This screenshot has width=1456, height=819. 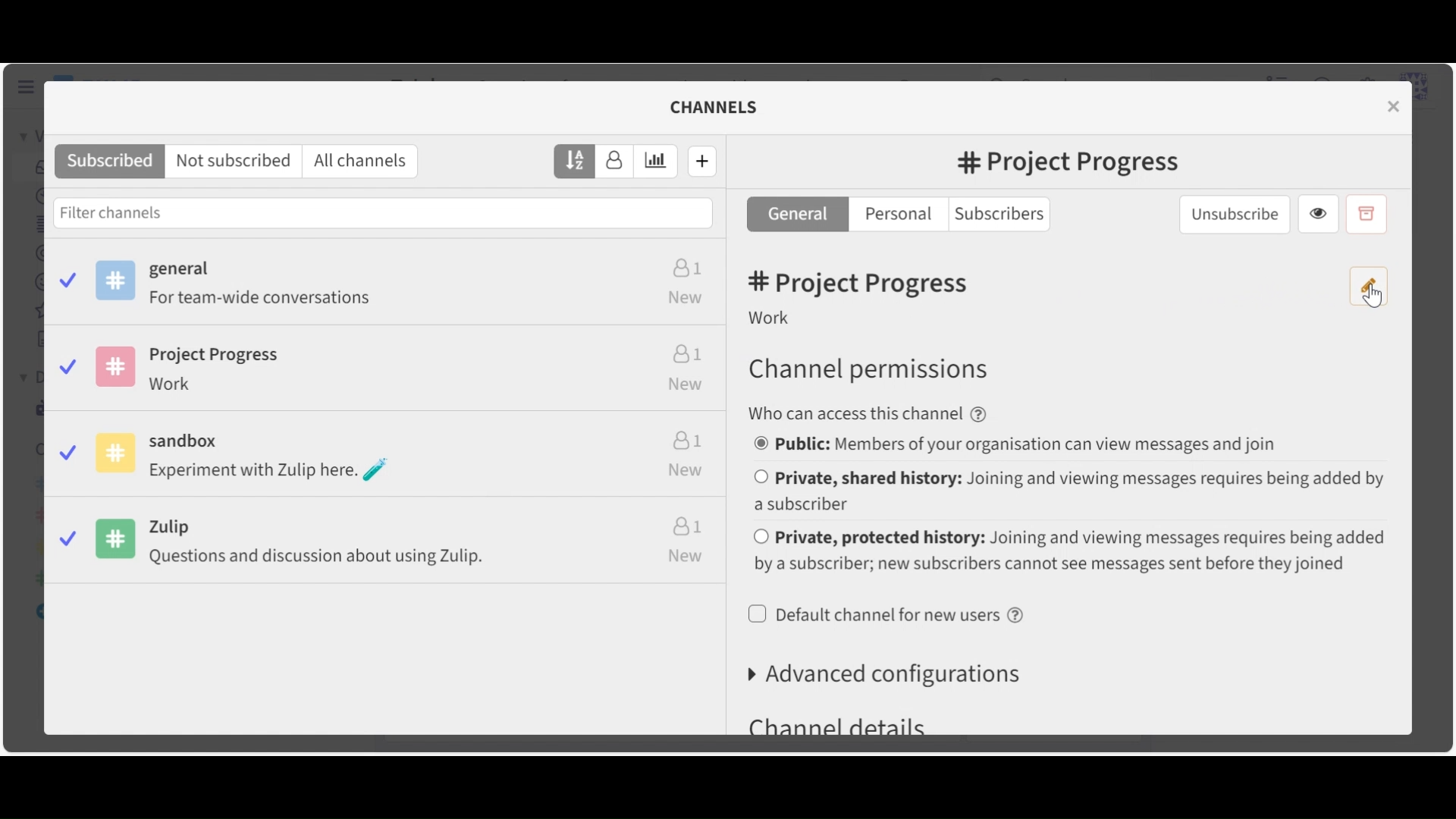 I want to click on Channel Settings, so click(x=717, y=106).